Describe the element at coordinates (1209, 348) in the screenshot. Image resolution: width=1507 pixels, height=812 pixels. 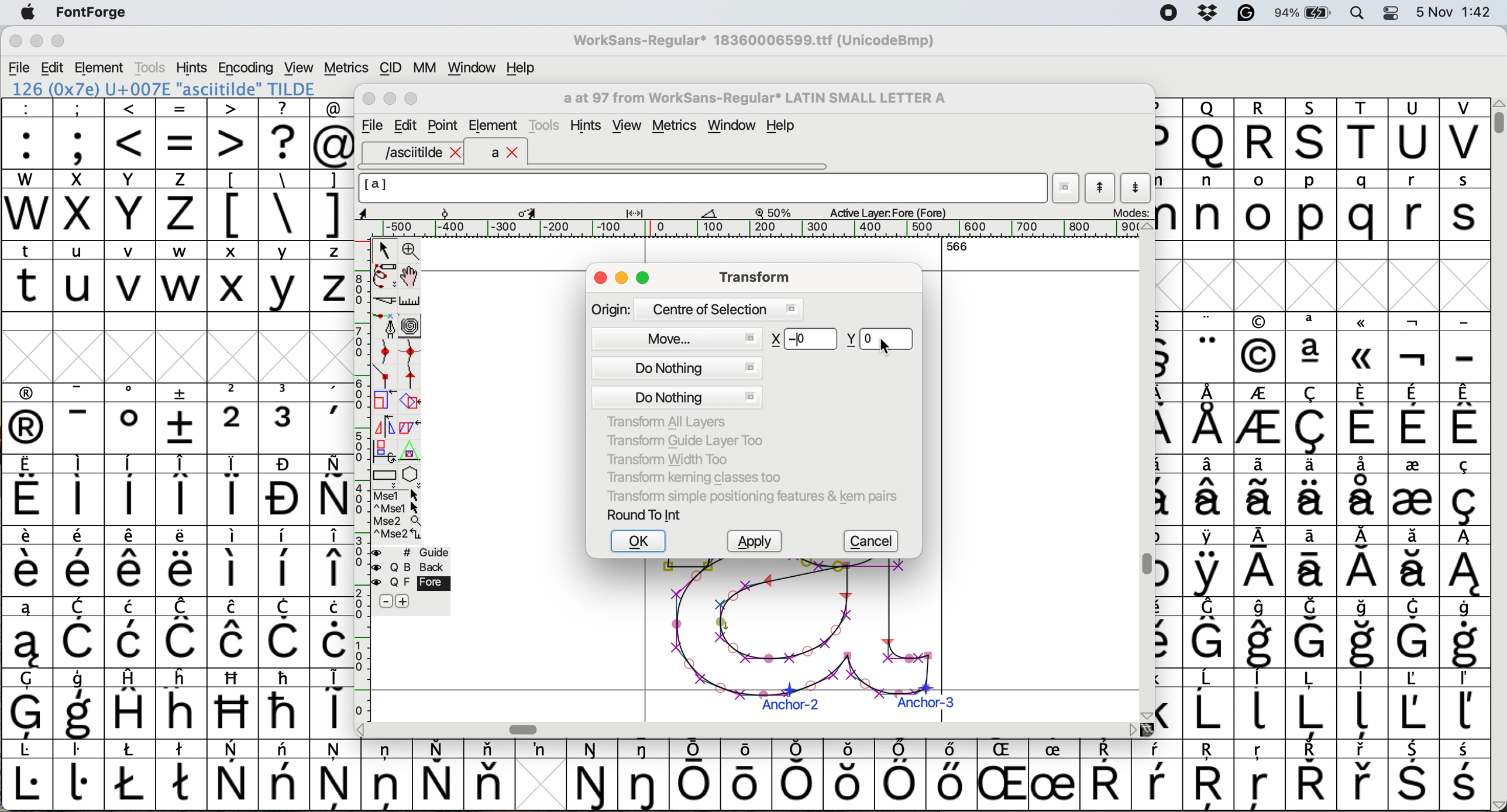
I see `symbol` at that location.